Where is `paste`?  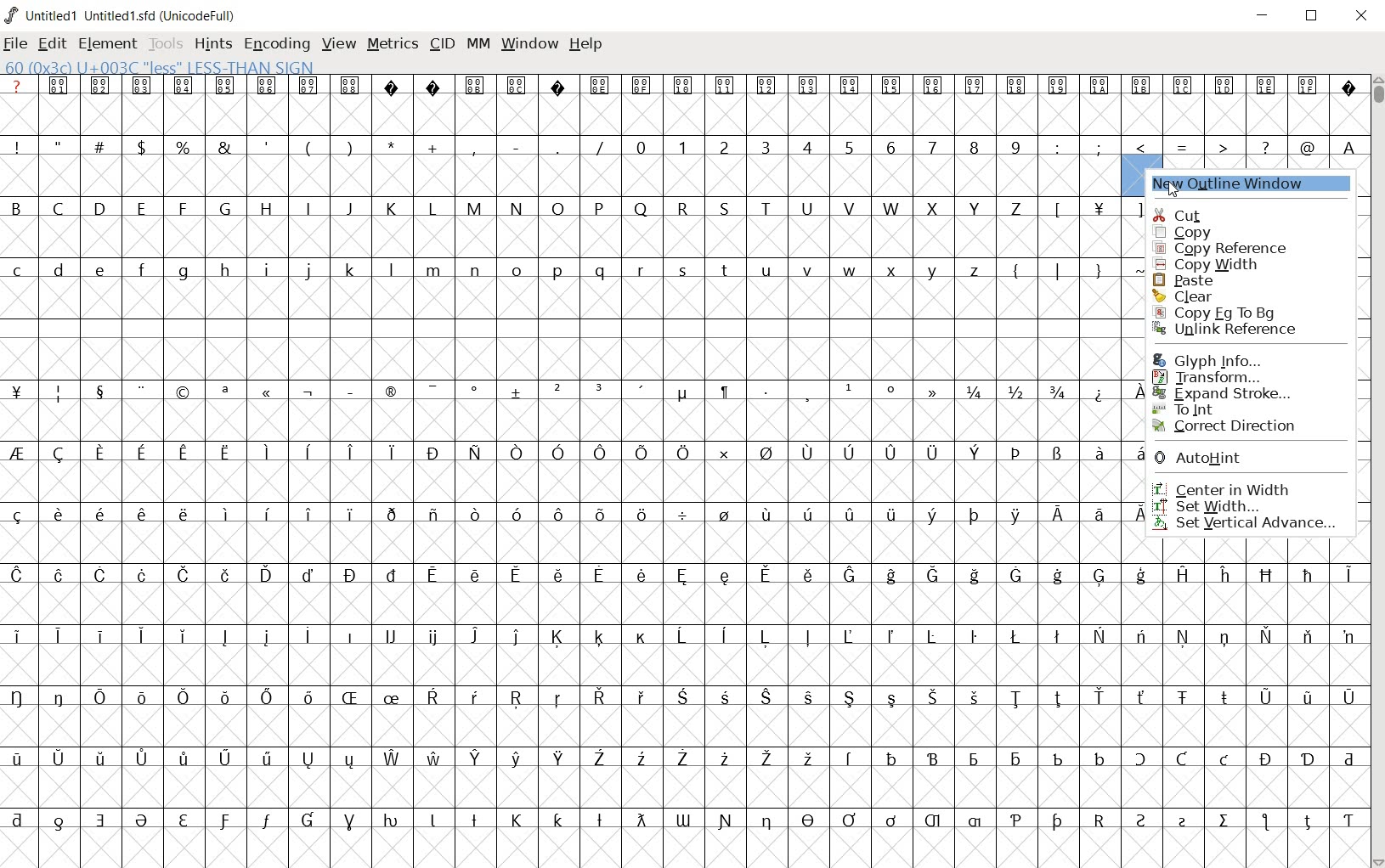 paste is located at coordinates (1234, 279).